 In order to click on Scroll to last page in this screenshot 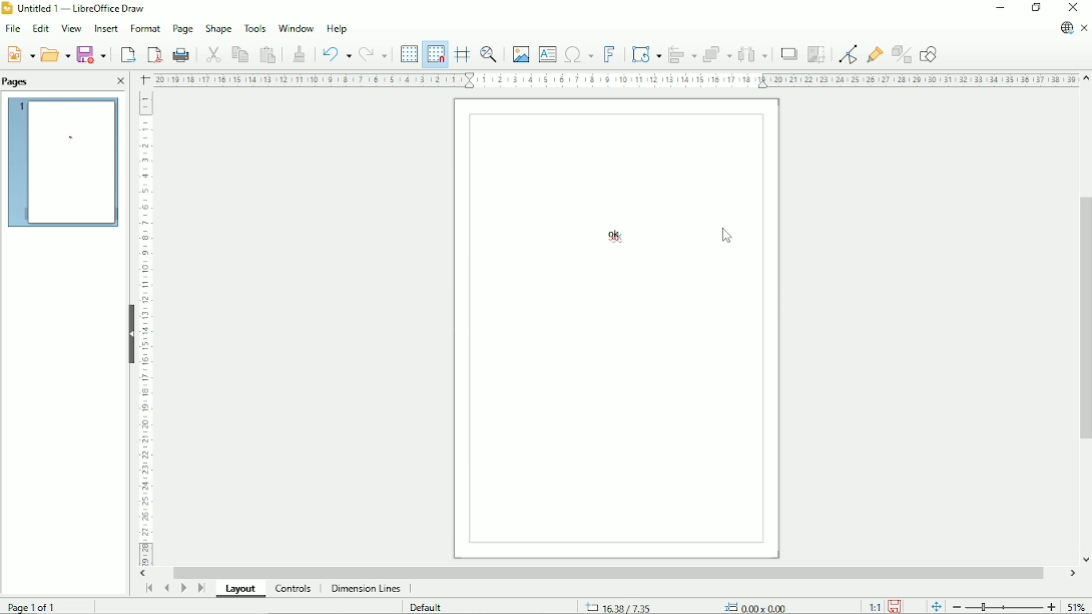, I will do `click(201, 588)`.